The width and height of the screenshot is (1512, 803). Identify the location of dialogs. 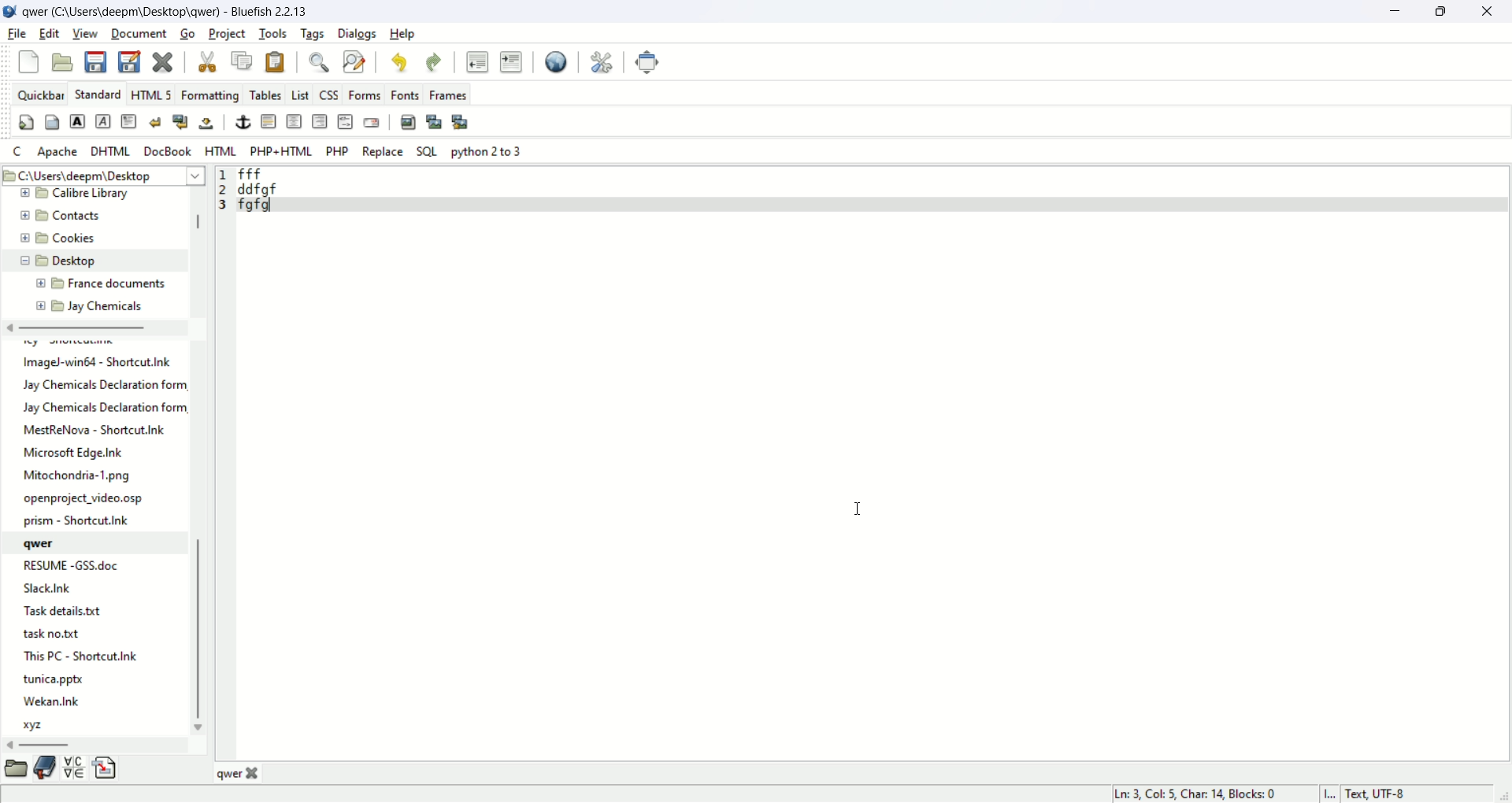
(356, 34).